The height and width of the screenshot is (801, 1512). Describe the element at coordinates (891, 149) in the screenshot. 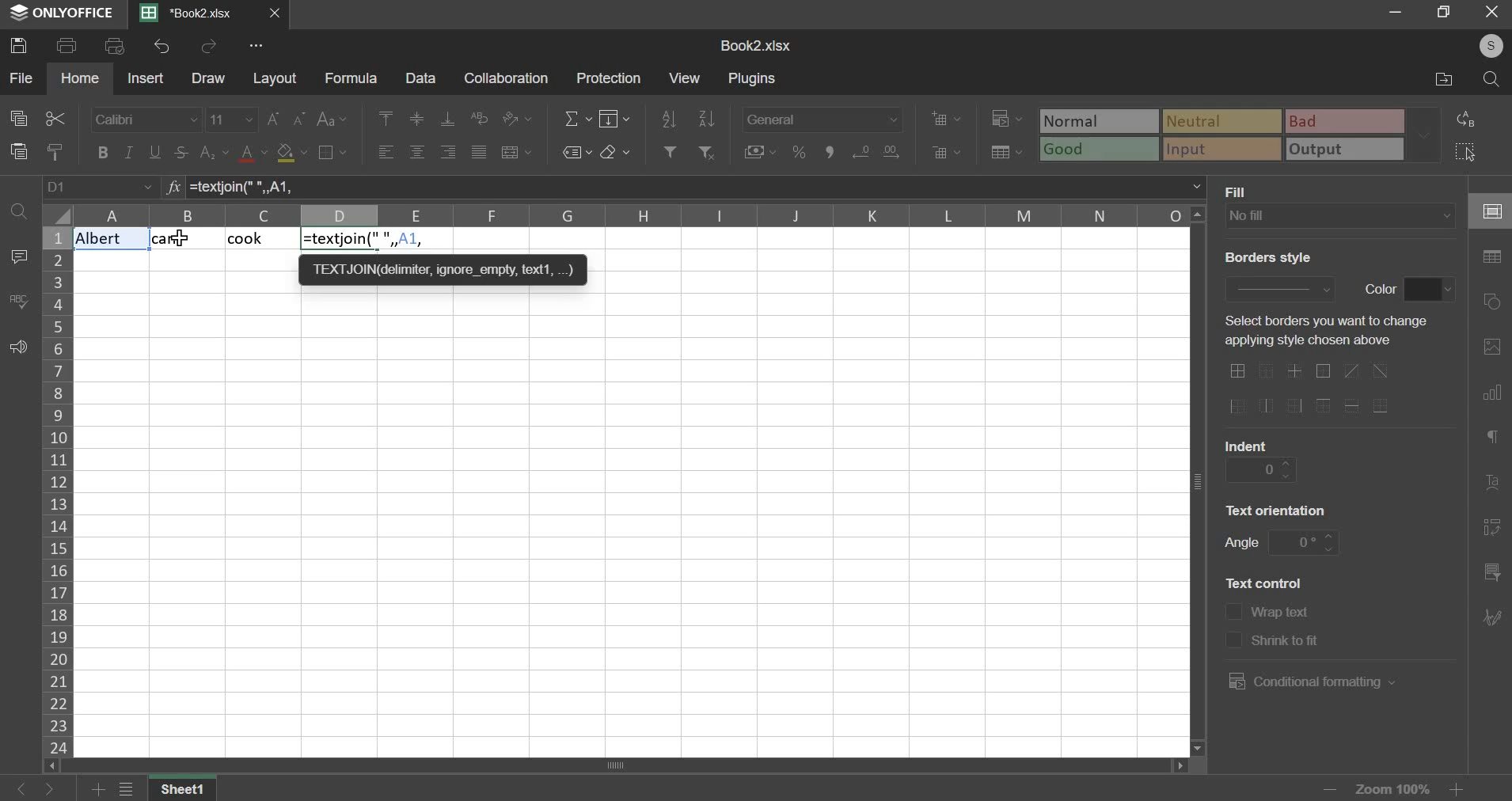

I see `decrease decimals` at that location.